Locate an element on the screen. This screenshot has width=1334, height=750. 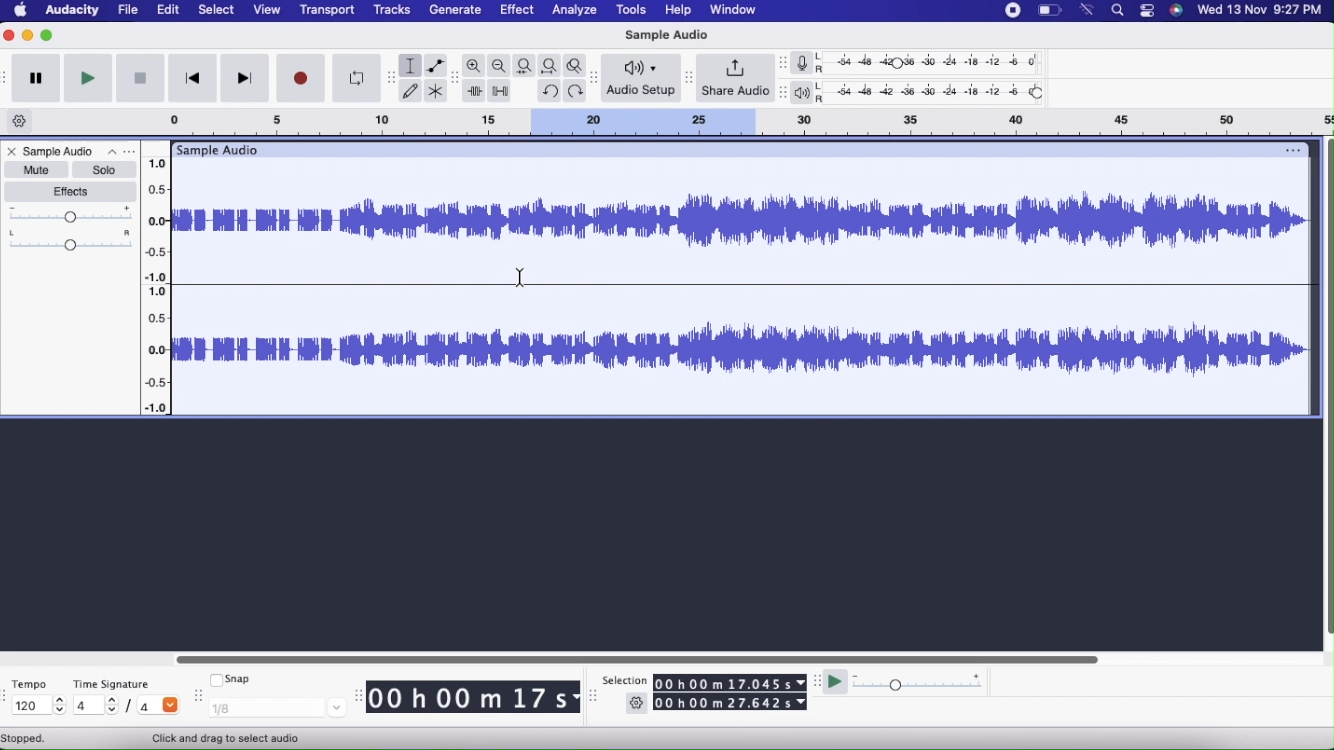
Help is located at coordinates (675, 10).